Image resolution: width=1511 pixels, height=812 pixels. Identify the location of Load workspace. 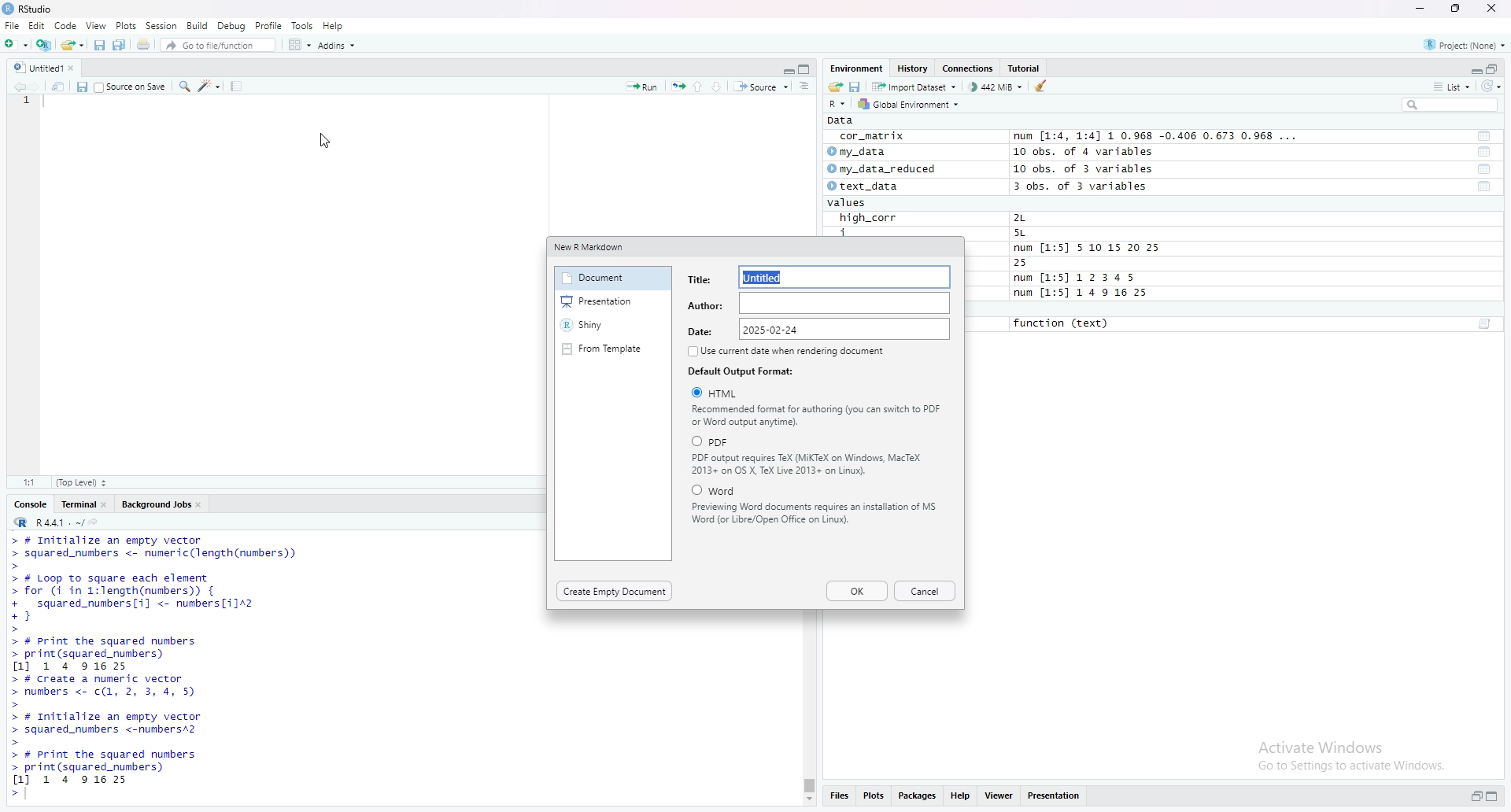
(833, 87).